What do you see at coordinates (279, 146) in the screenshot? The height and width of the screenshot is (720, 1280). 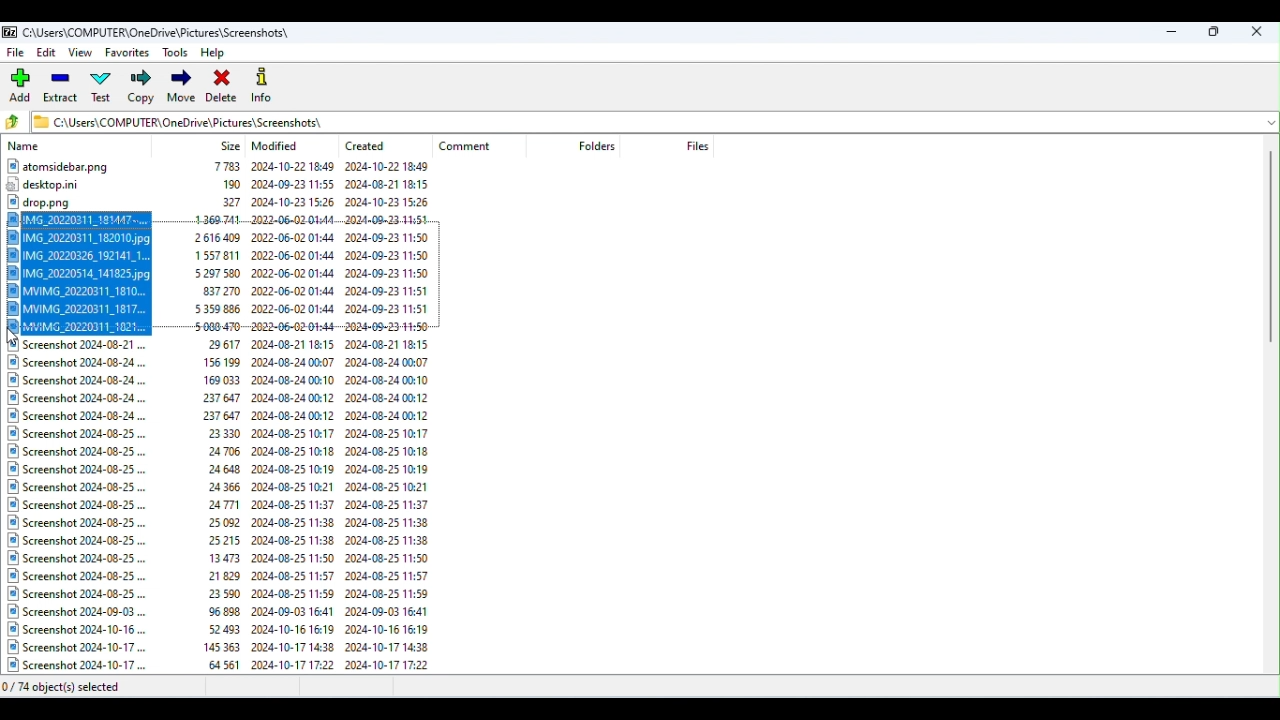 I see `Modified` at bounding box center [279, 146].